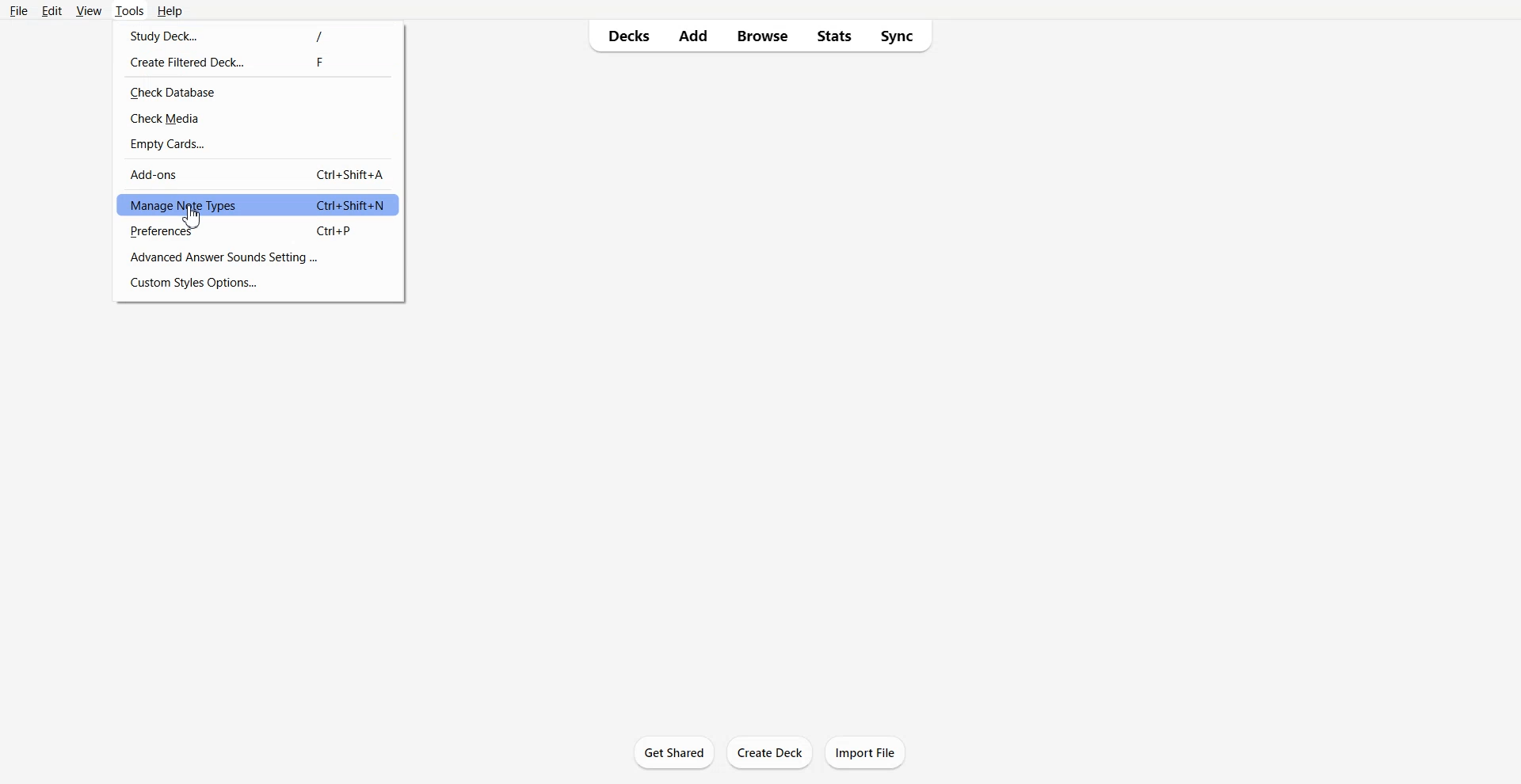 The width and height of the screenshot is (1521, 784). What do you see at coordinates (900, 36) in the screenshot?
I see `Sync` at bounding box center [900, 36].